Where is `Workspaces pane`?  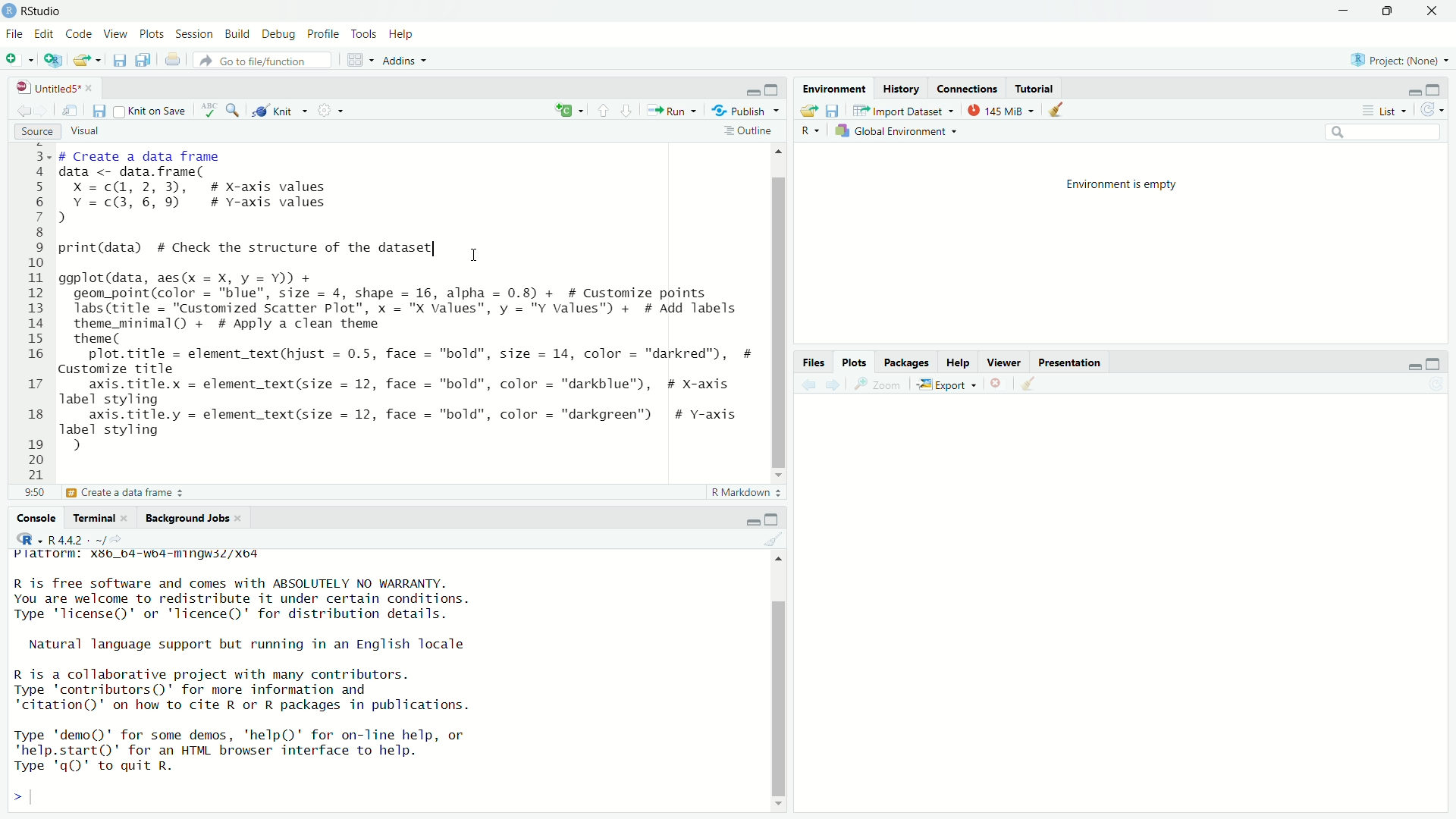
Workspaces pane is located at coordinates (361, 60).